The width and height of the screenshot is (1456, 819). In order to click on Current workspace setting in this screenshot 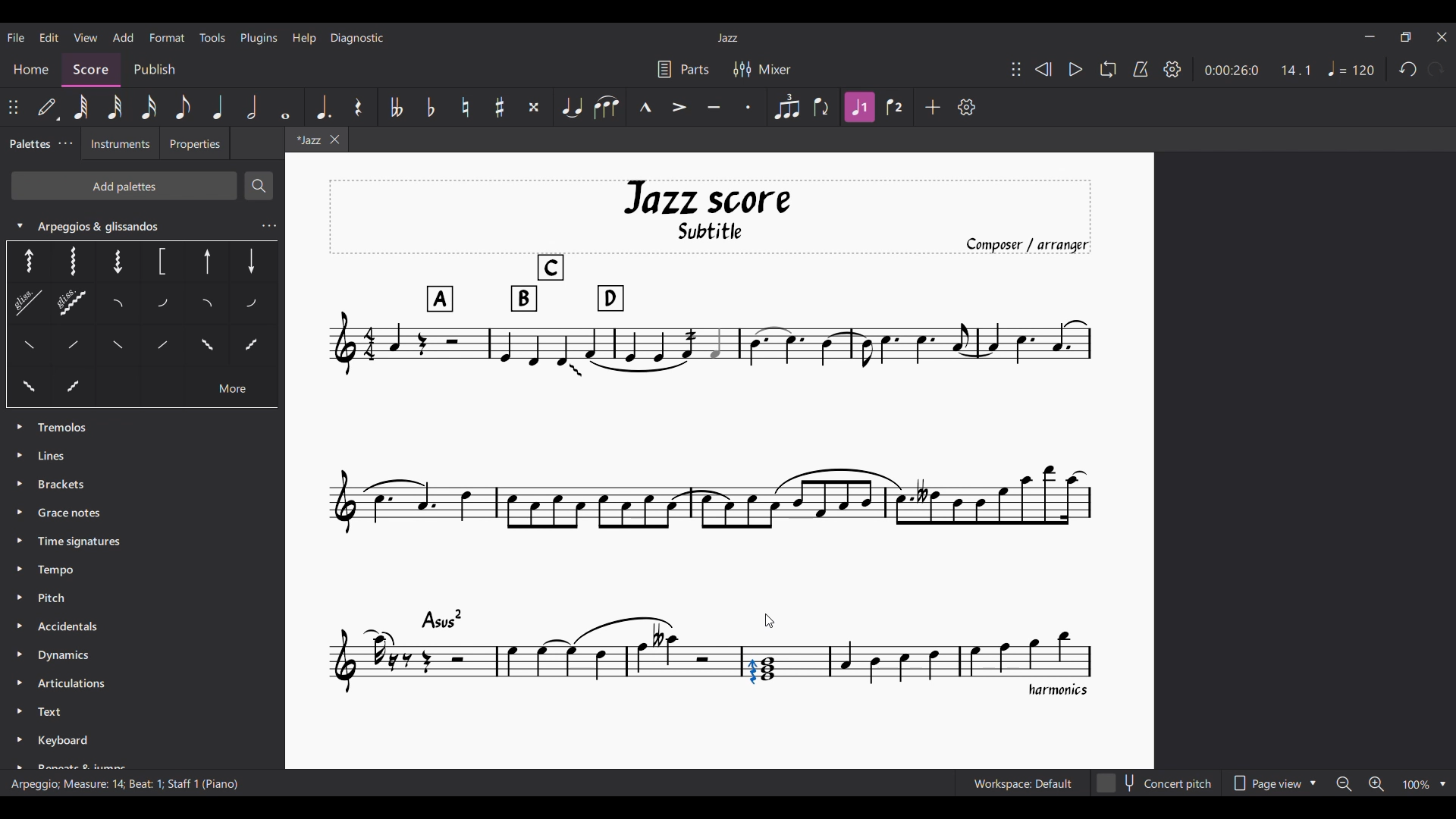, I will do `click(1023, 783)`.